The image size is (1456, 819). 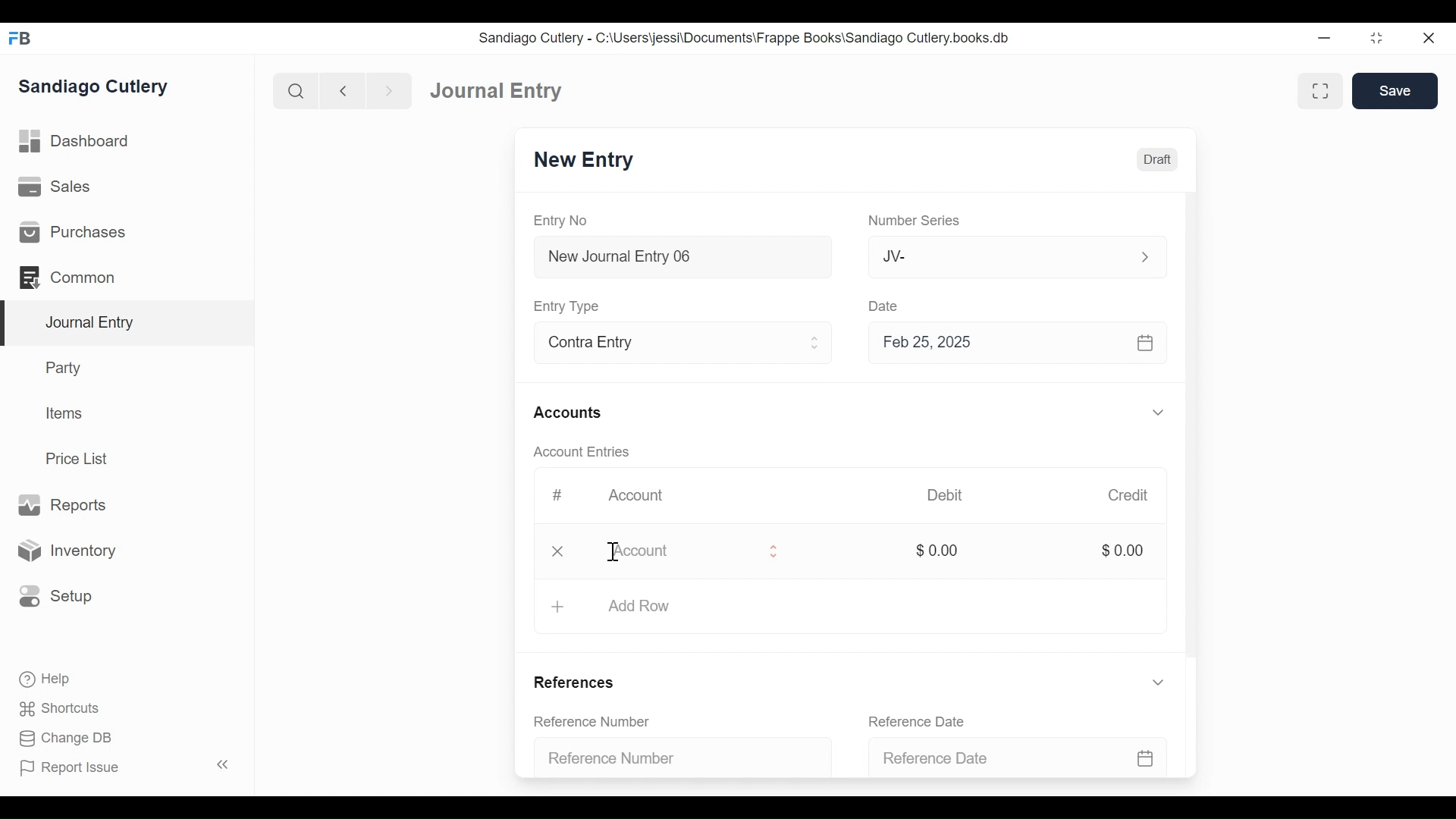 I want to click on Expand, so click(x=1158, y=682).